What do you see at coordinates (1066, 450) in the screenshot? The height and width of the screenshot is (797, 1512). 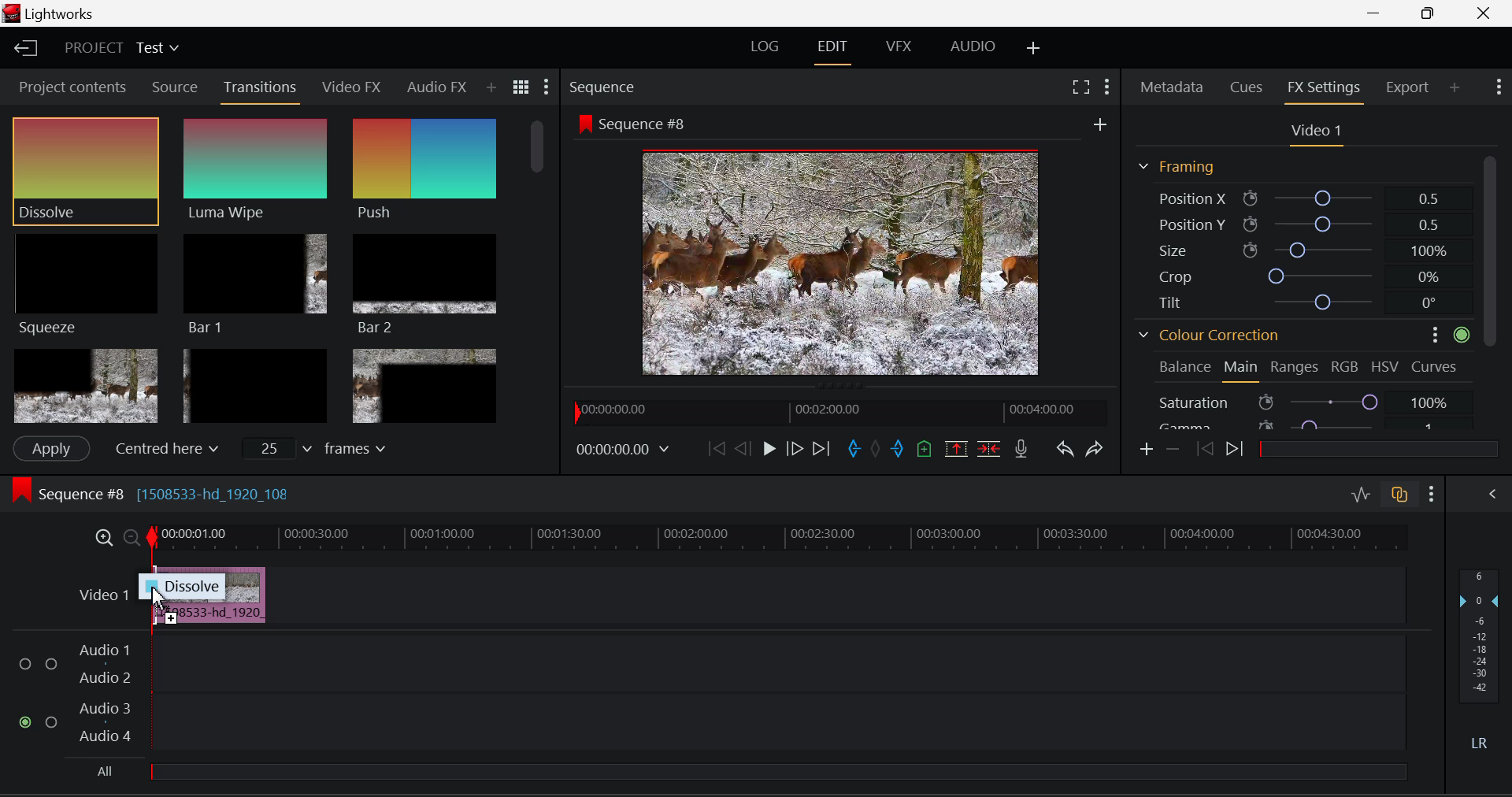 I see `Undo` at bounding box center [1066, 450].